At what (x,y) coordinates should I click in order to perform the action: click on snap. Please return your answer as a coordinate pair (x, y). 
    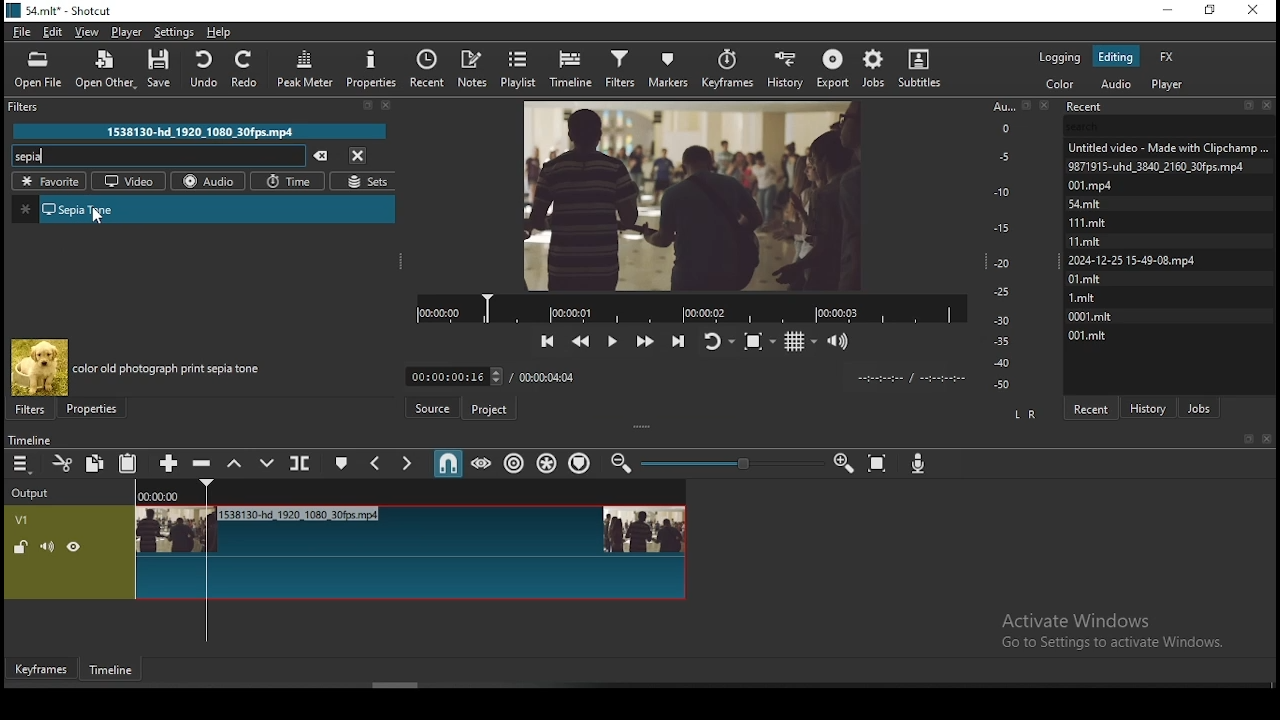
    Looking at the image, I should click on (443, 464).